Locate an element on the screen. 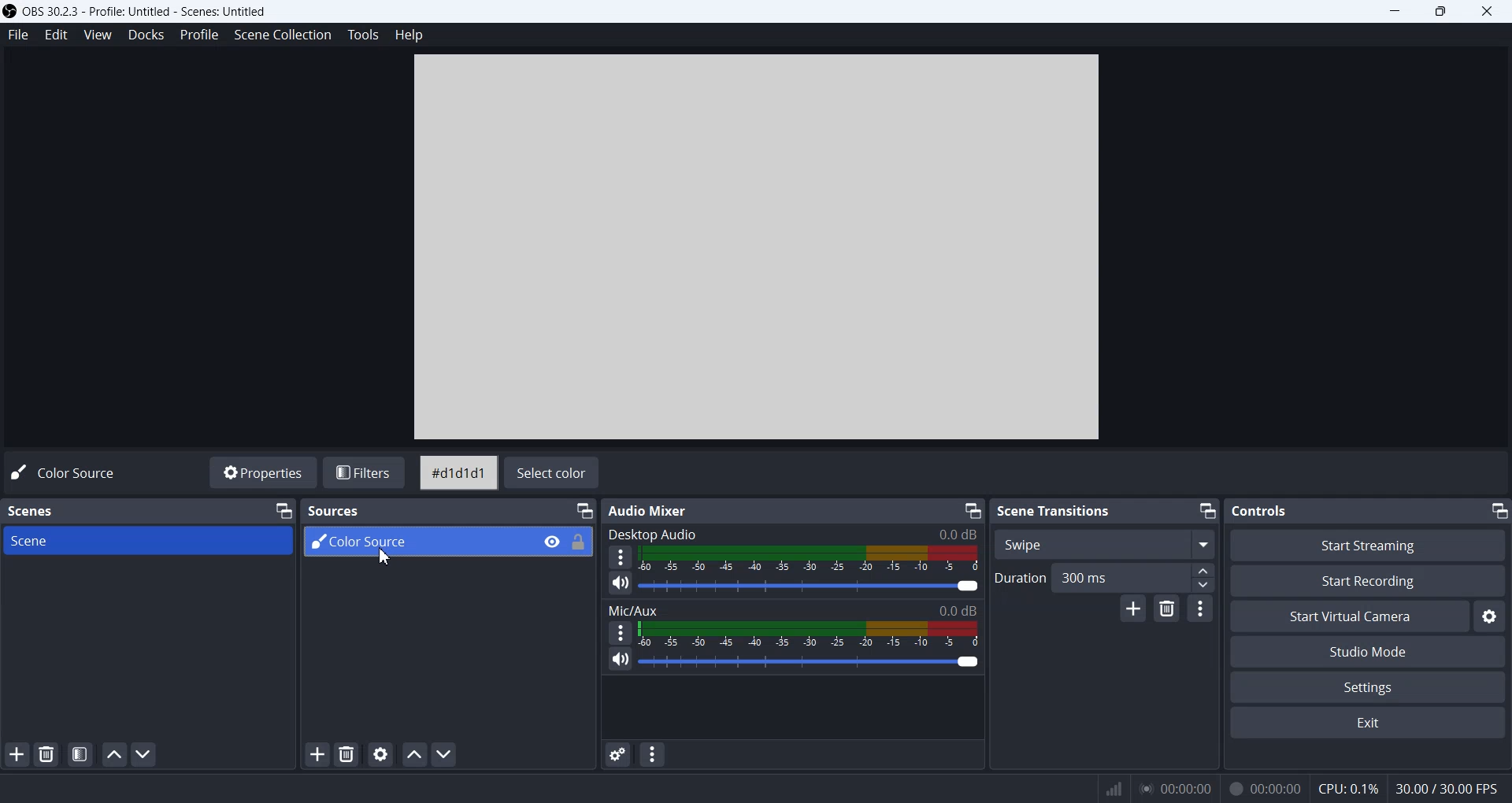 The image size is (1512, 803). More is located at coordinates (621, 557).